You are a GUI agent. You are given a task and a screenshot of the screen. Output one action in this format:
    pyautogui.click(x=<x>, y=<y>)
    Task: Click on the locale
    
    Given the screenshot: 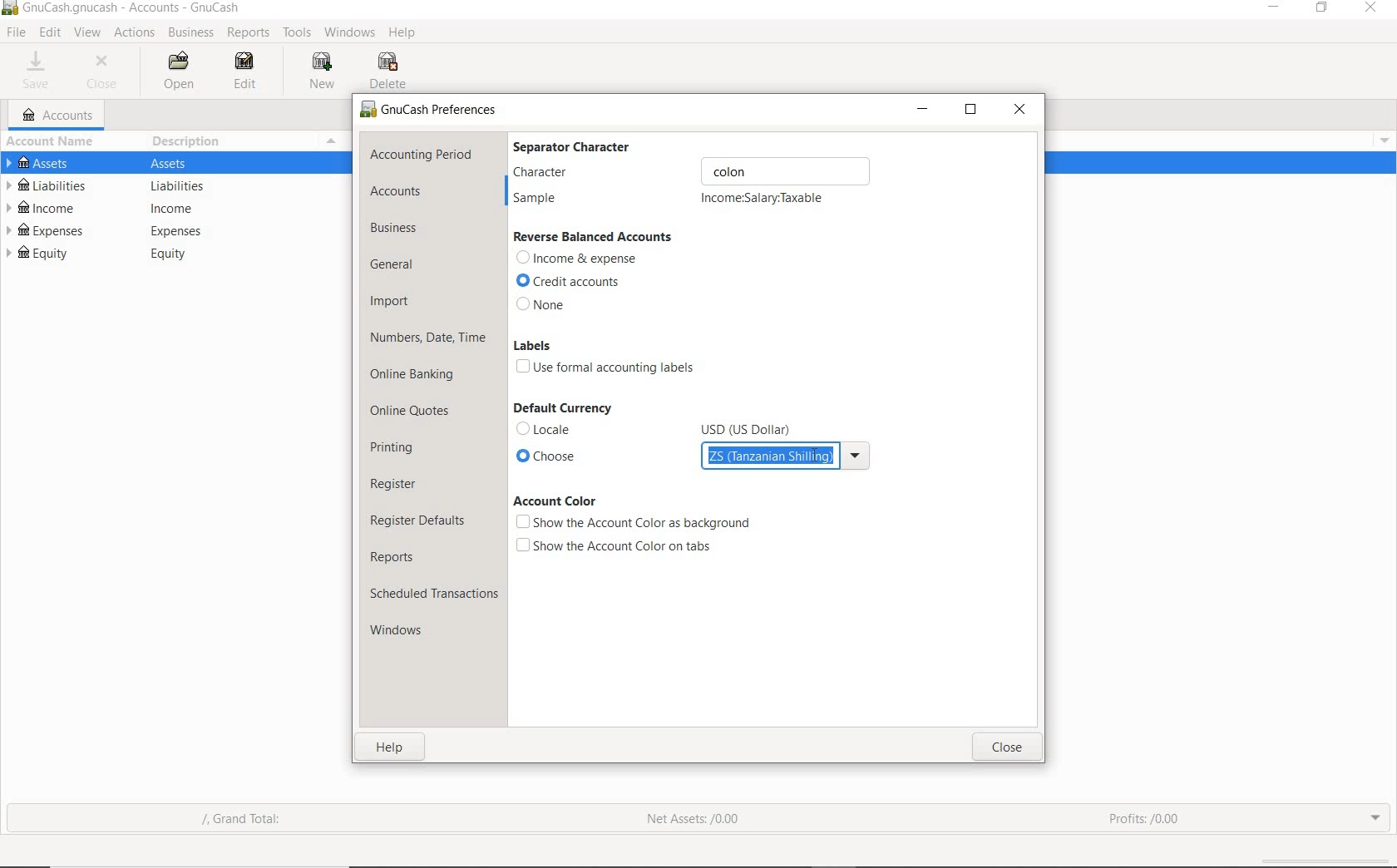 What is the action you would take?
    pyautogui.click(x=551, y=427)
    